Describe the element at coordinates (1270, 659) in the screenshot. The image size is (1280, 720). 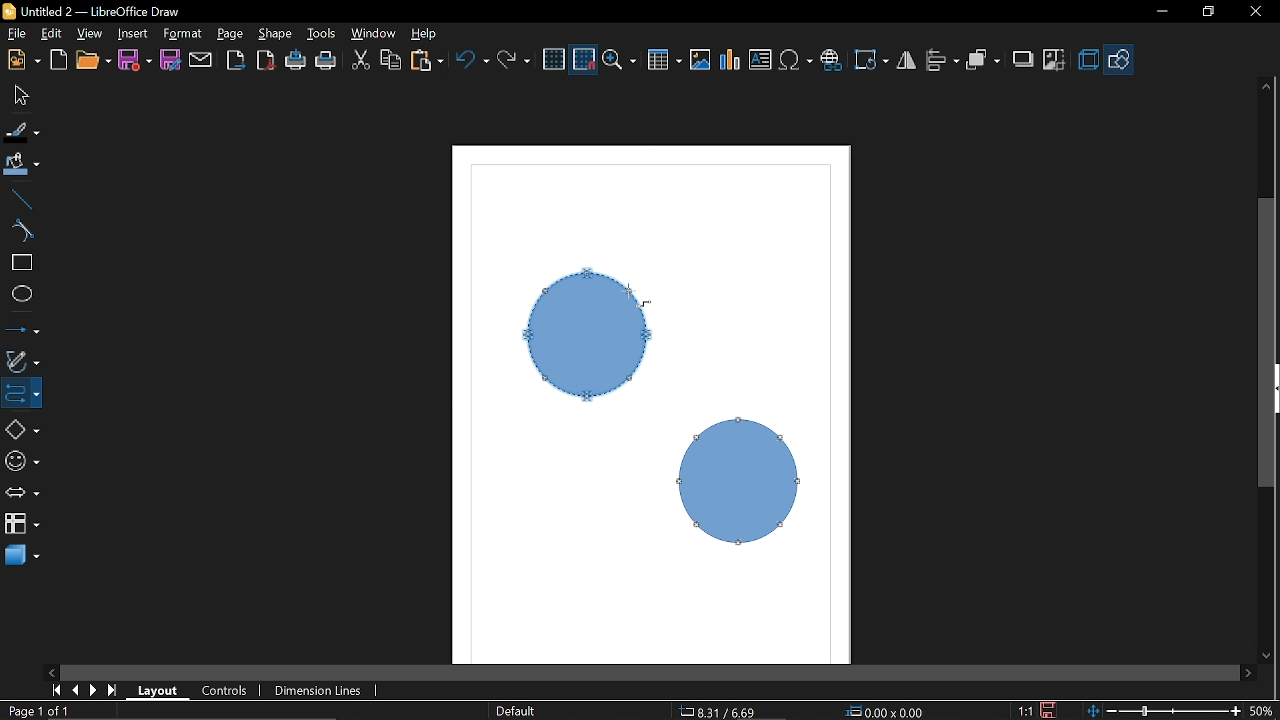
I see `Move down` at that location.